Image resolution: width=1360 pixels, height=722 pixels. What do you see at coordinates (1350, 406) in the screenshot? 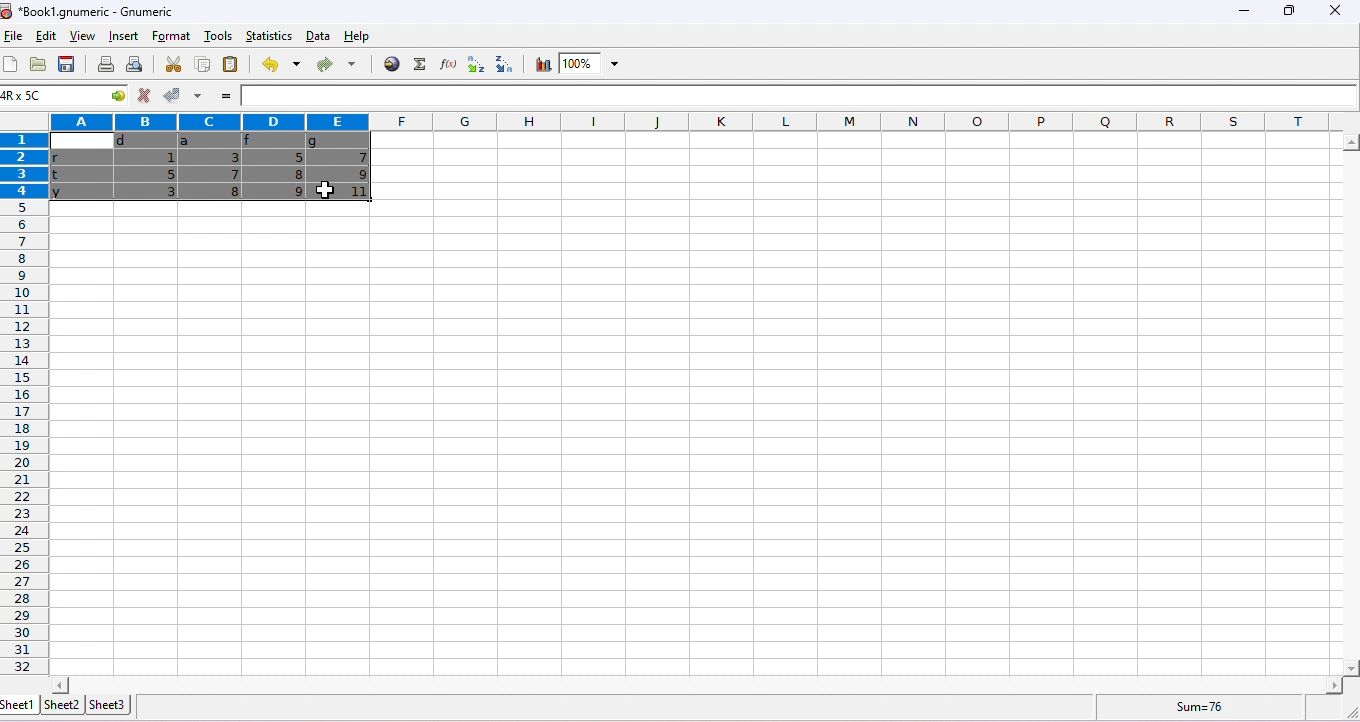
I see `horizontal scrollbar` at bounding box center [1350, 406].